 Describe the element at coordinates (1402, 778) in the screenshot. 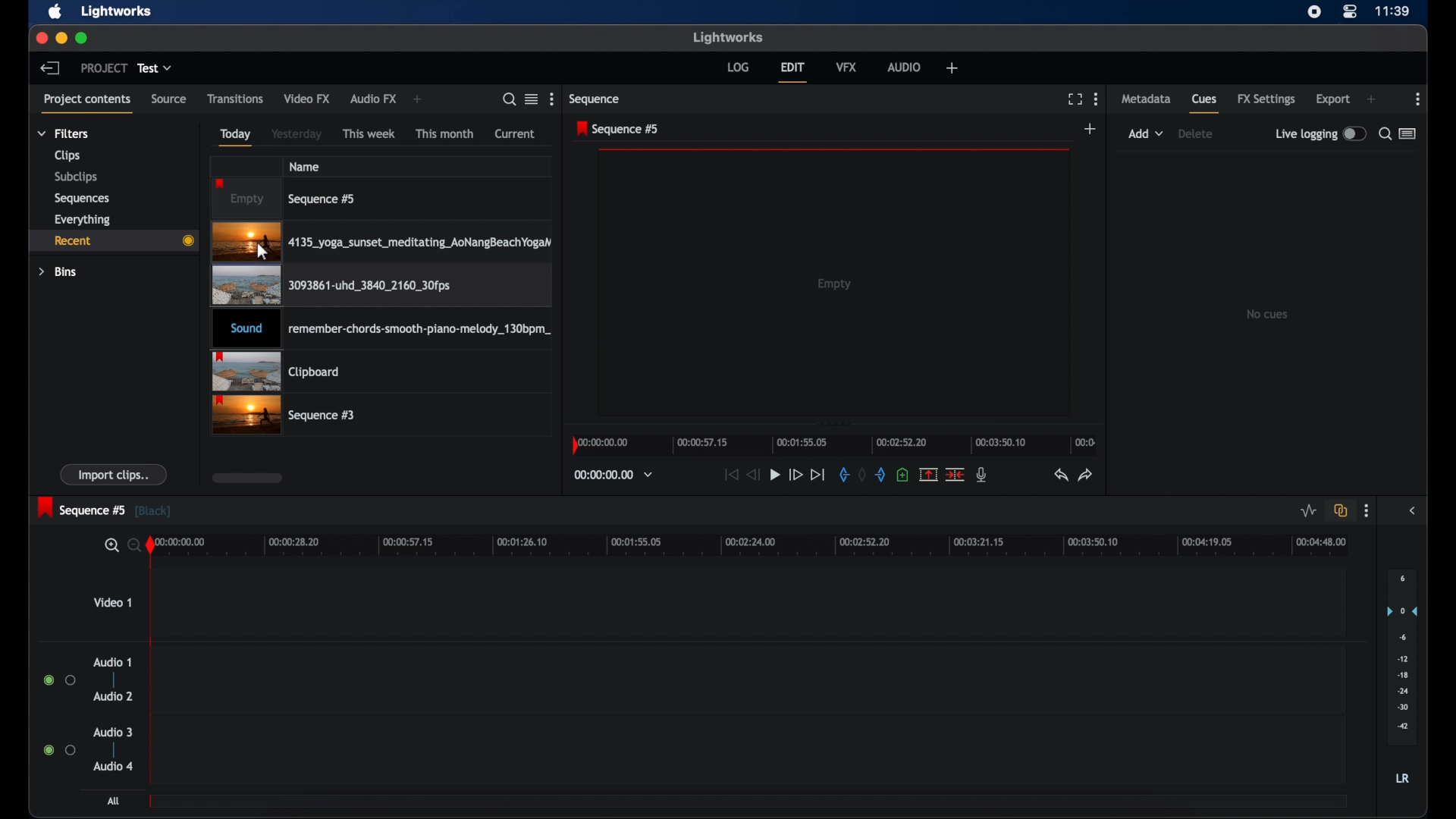

I see `LR` at that location.